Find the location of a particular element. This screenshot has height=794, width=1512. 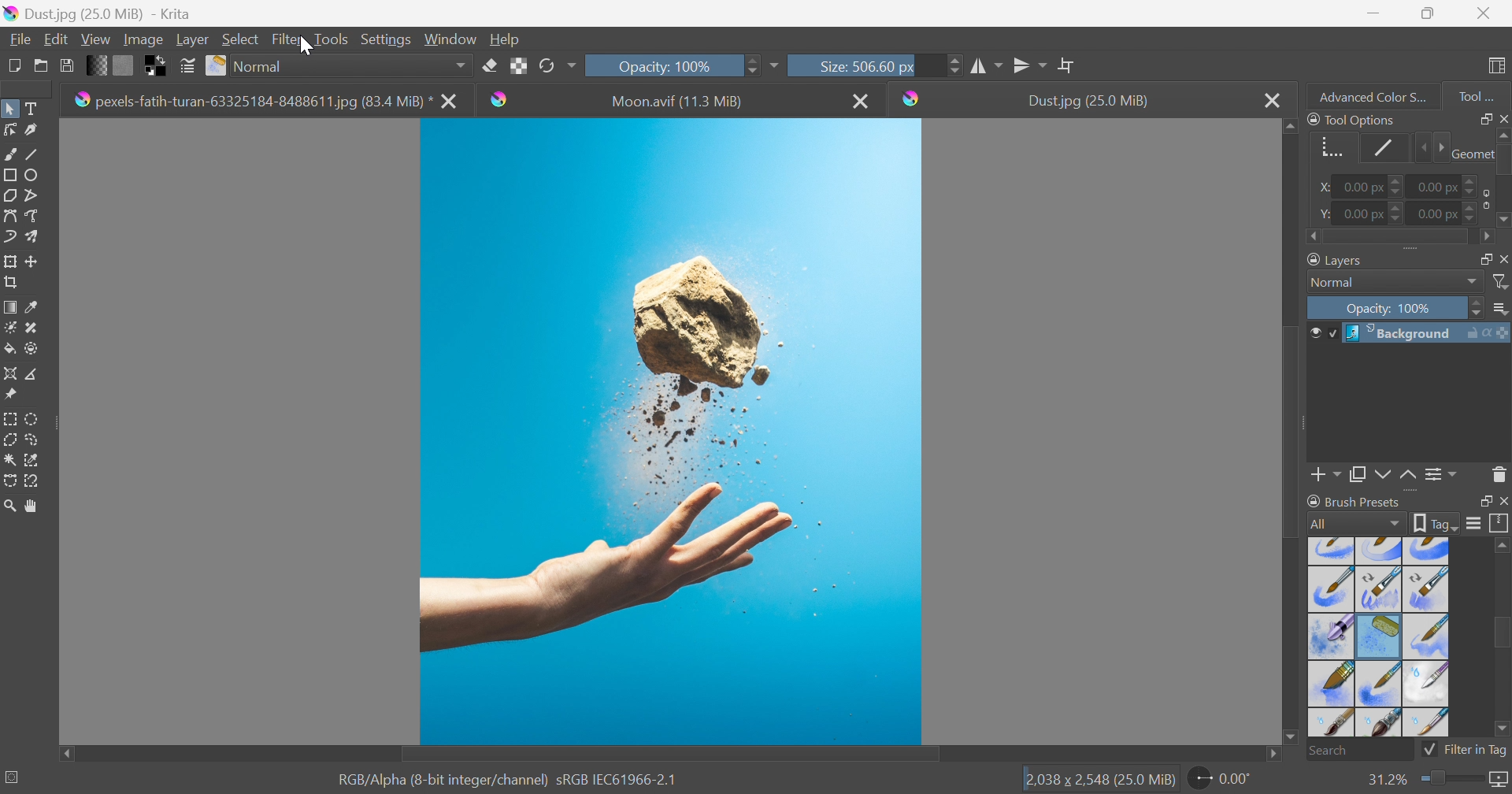

Filter in tag is located at coordinates (1466, 750).